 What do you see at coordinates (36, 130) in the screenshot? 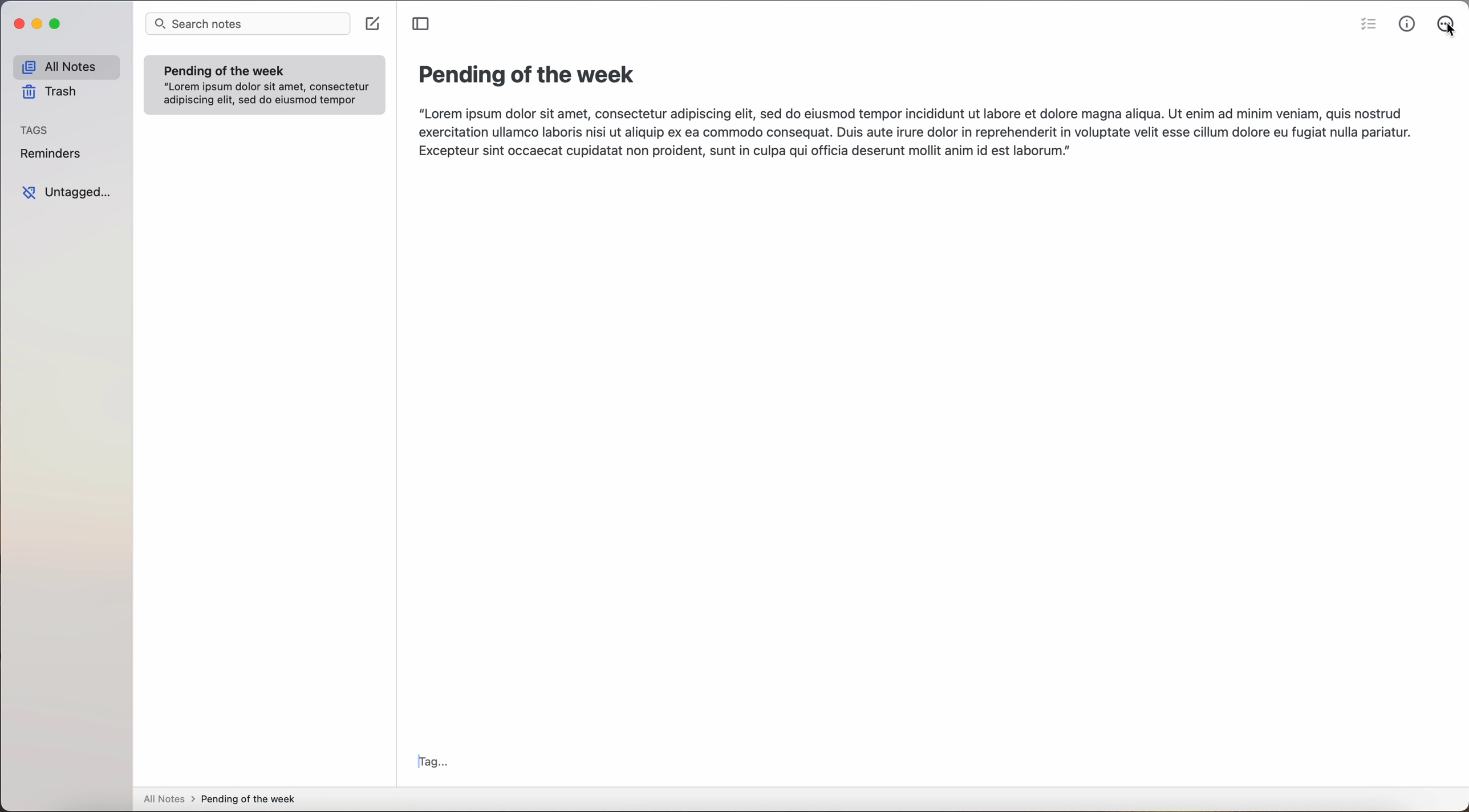
I see `tags` at bounding box center [36, 130].